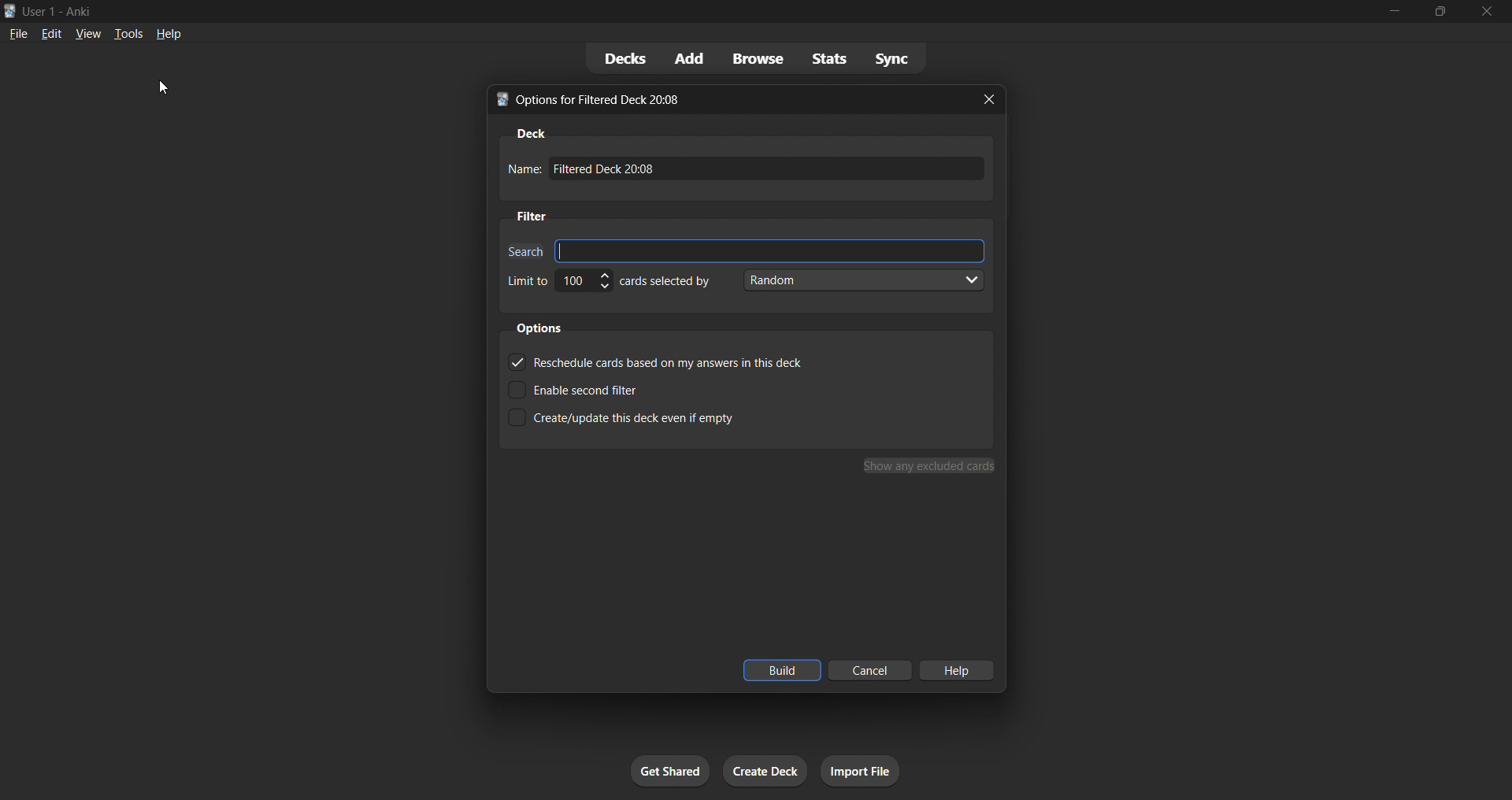 This screenshot has width=1512, height=800. I want to click on Anki Desktop icon, so click(499, 102).